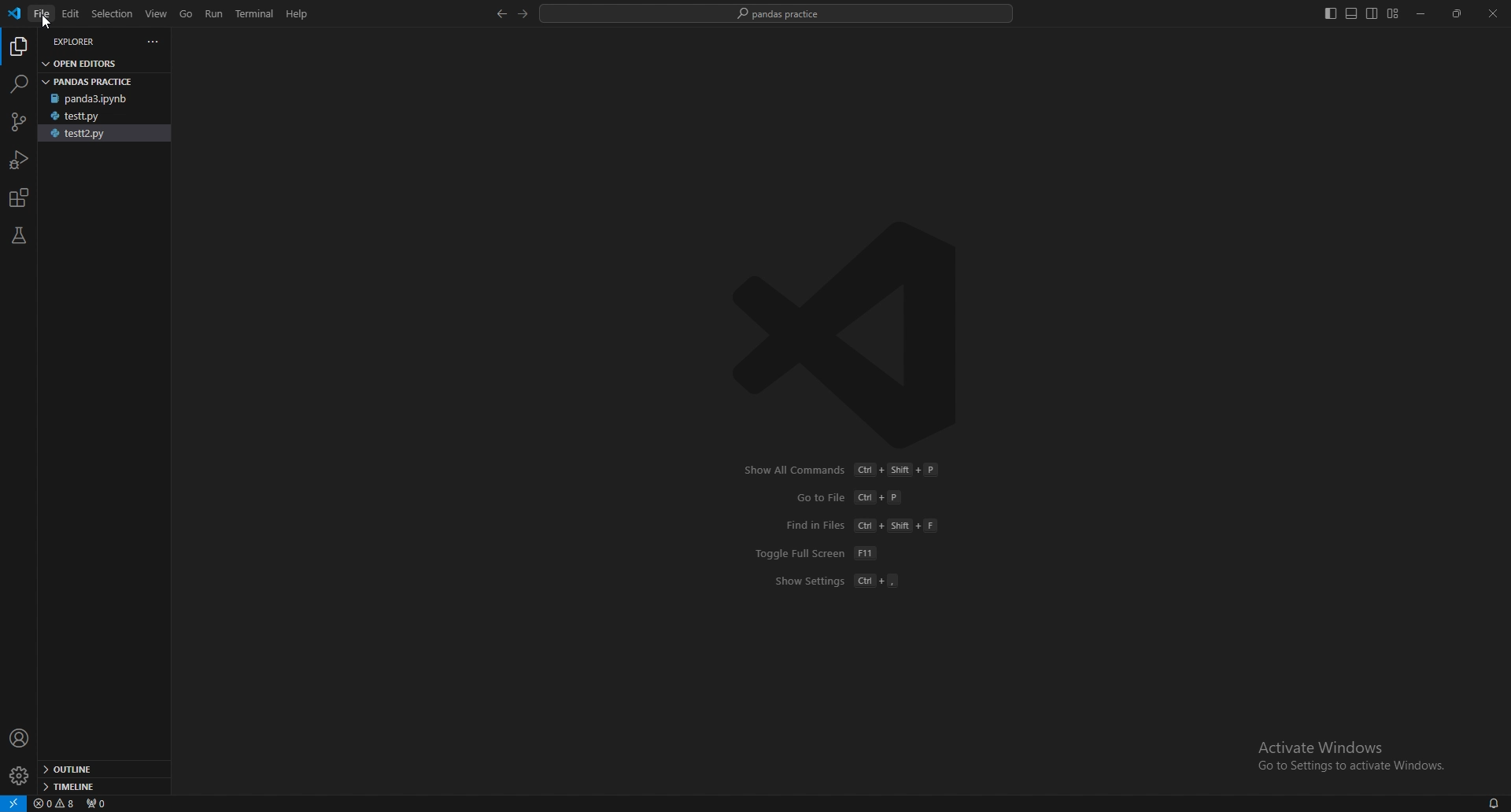 Image resolution: width=1511 pixels, height=812 pixels. Describe the element at coordinates (1346, 755) in the screenshot. I see `Activate Windows
Go to Settings to activate Windows.` at that location.